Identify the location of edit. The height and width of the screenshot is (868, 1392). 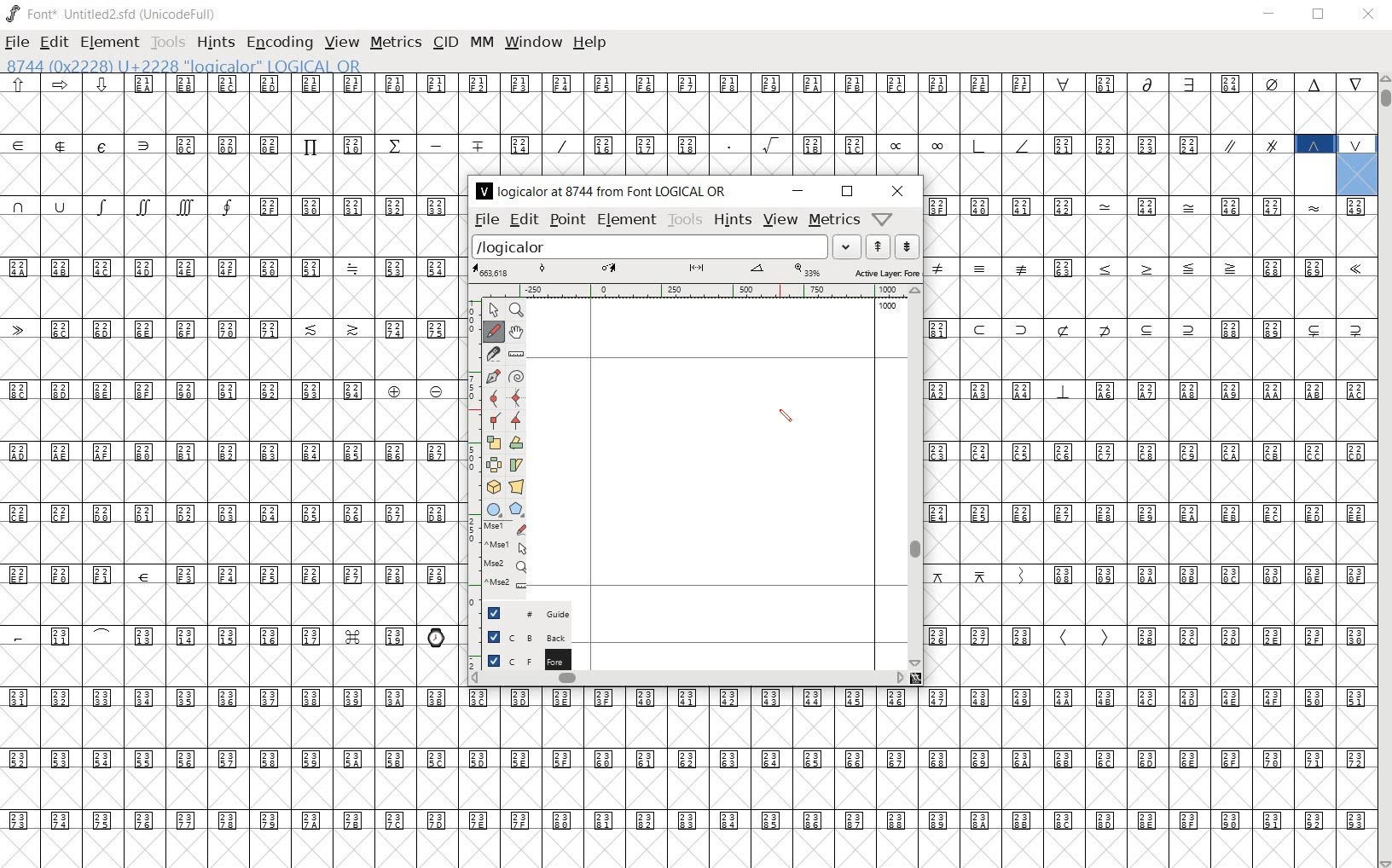
(55, 42).